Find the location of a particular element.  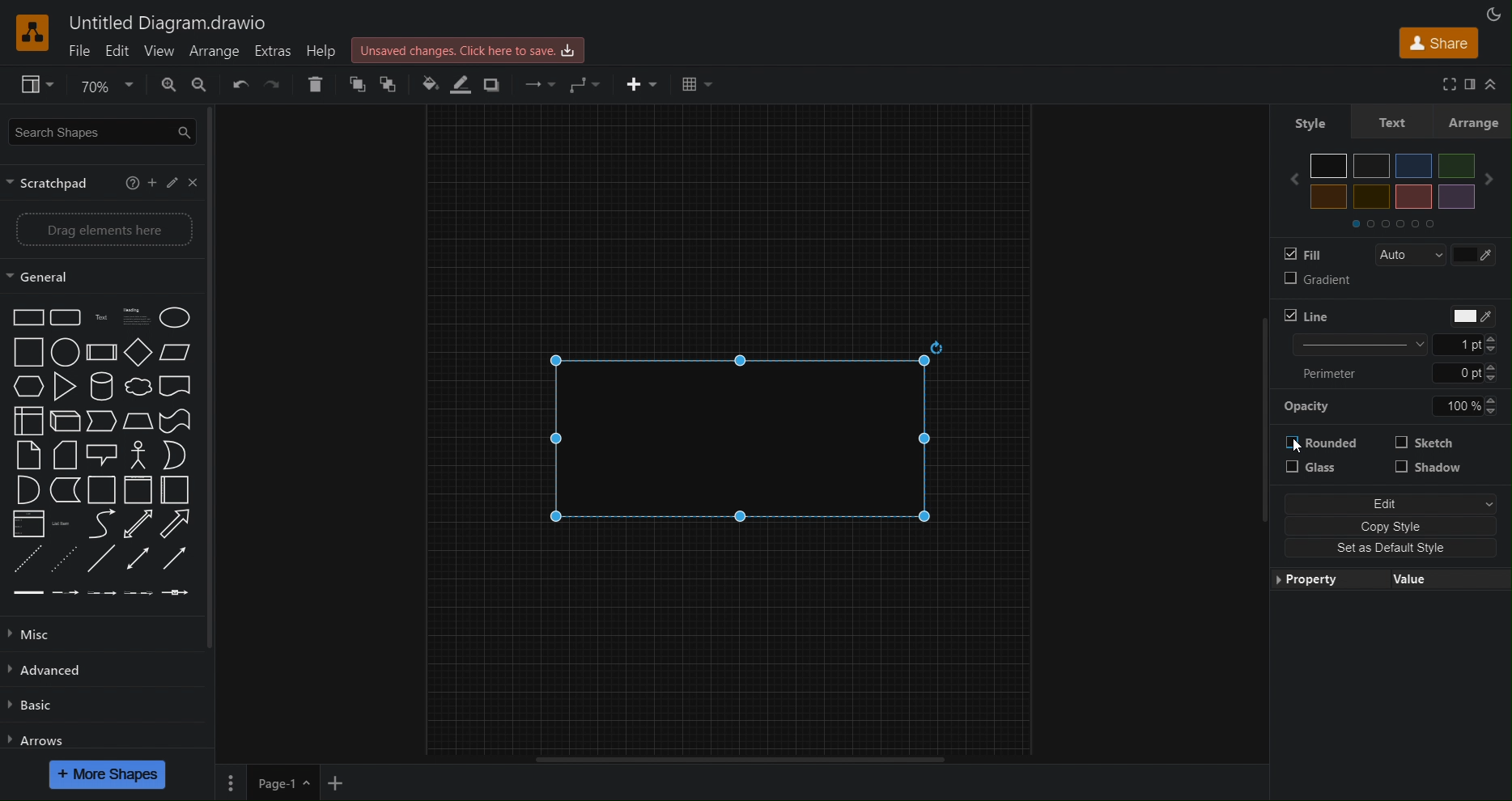

Shadow is located at coordinates (1429, 473).